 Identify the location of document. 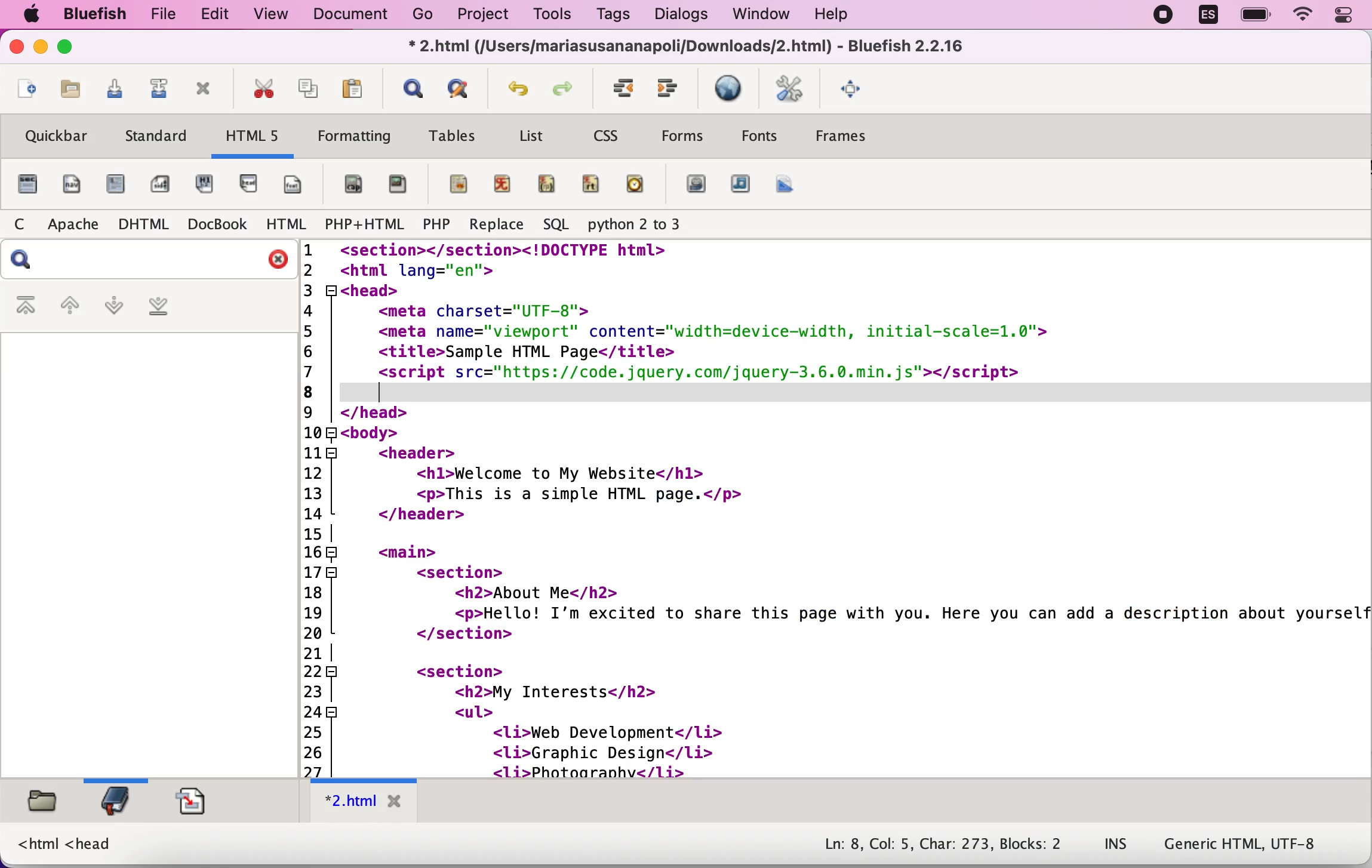
(348, 16).